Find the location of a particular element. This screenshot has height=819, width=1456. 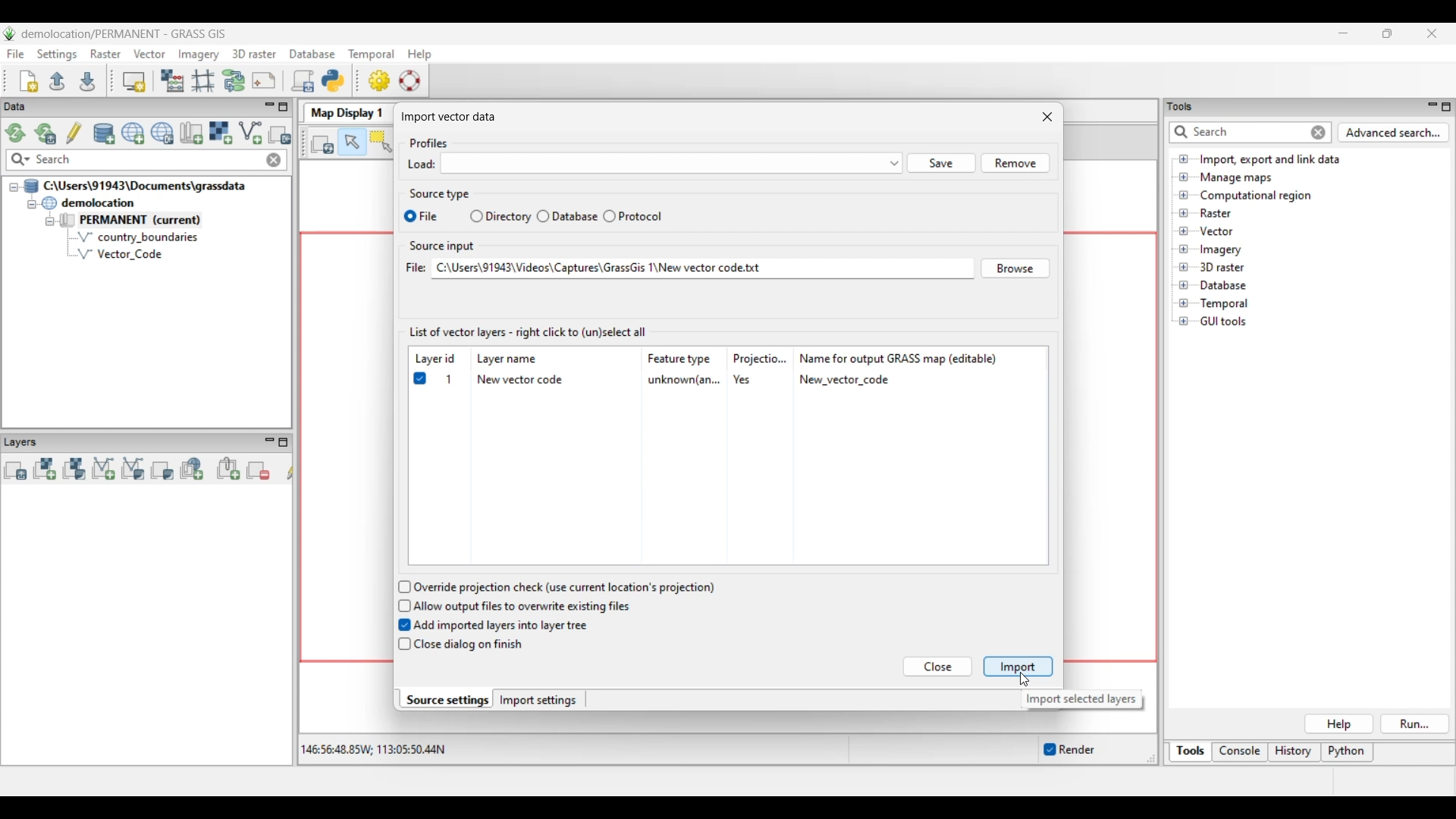

File menu is located at coordinates (16, 54).